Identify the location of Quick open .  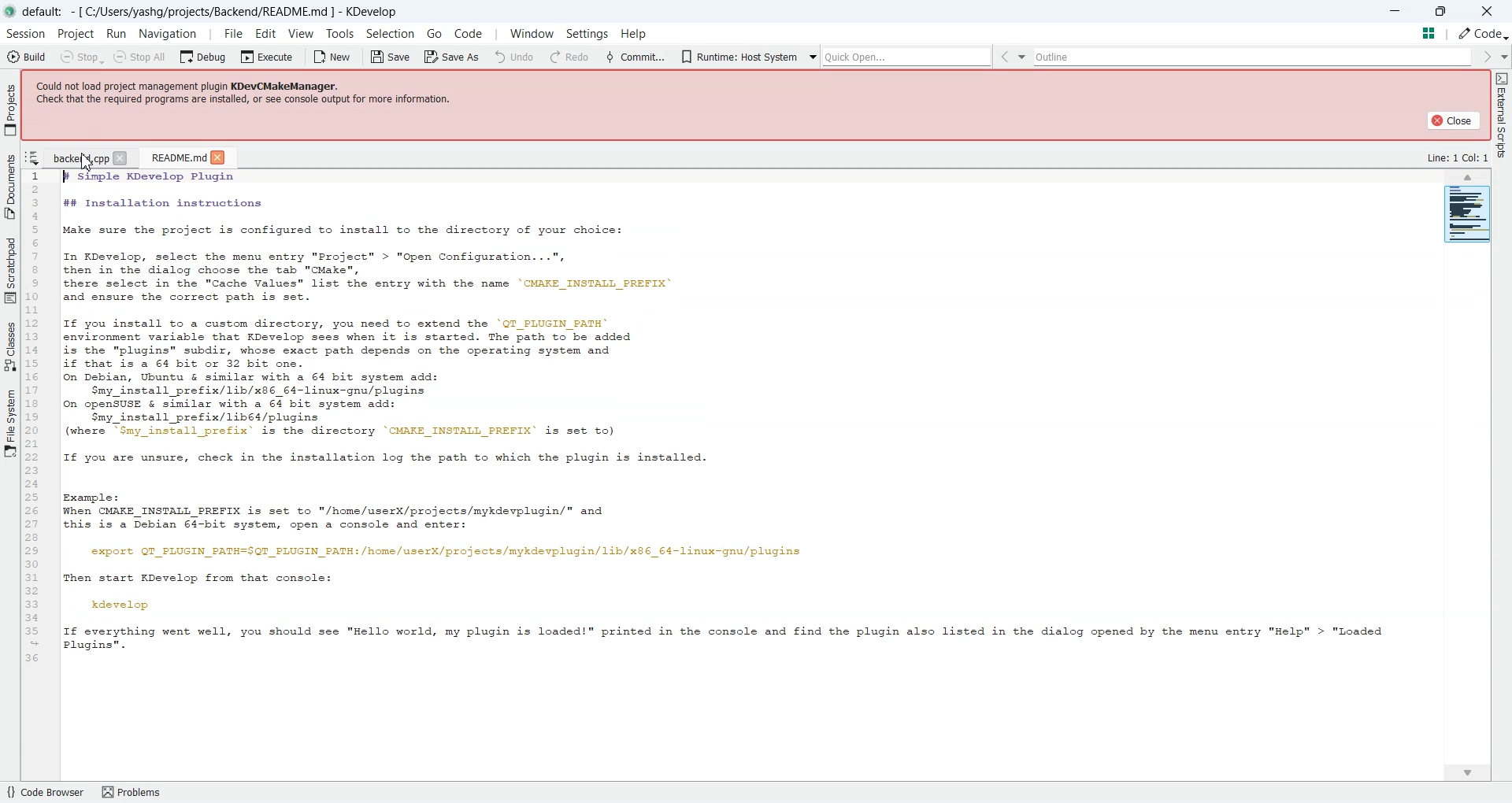
(674, 57).